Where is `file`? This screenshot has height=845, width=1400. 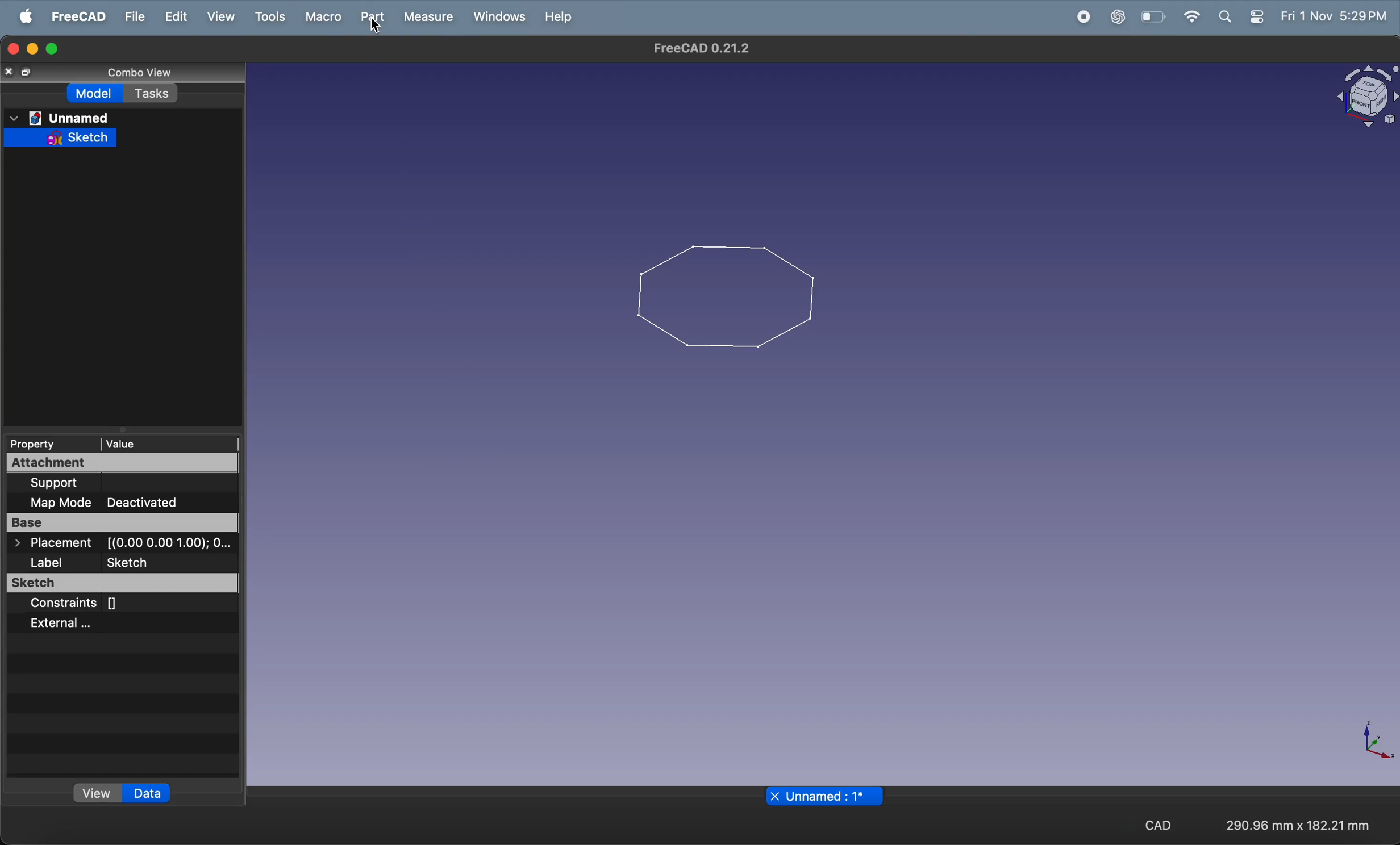 file is located at coordinates (134, 15).